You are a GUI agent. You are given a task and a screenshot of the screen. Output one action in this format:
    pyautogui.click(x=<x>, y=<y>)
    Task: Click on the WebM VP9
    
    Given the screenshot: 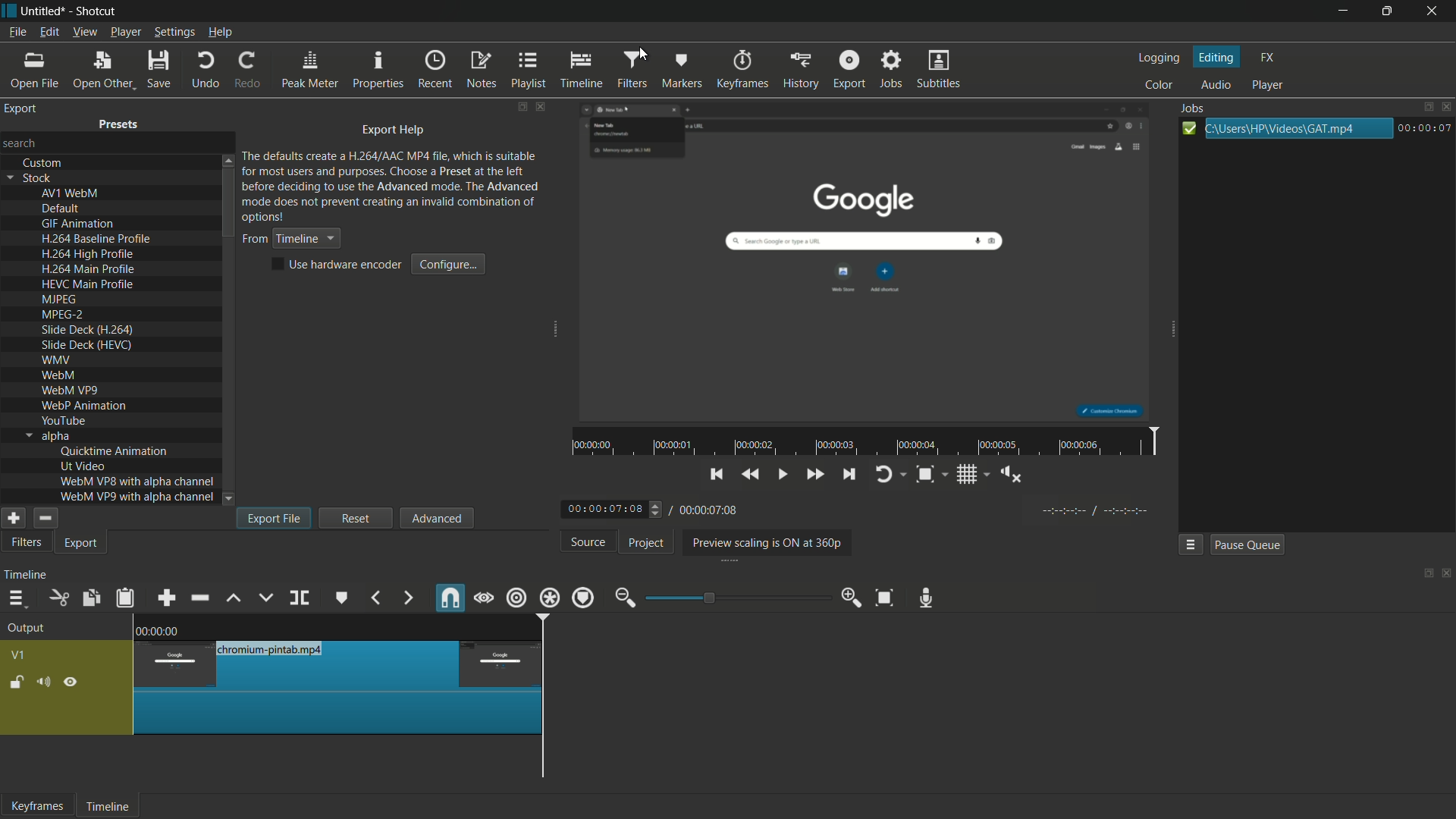 What is the action you would take?
    pyautogui.click(x=68, y=390)
    